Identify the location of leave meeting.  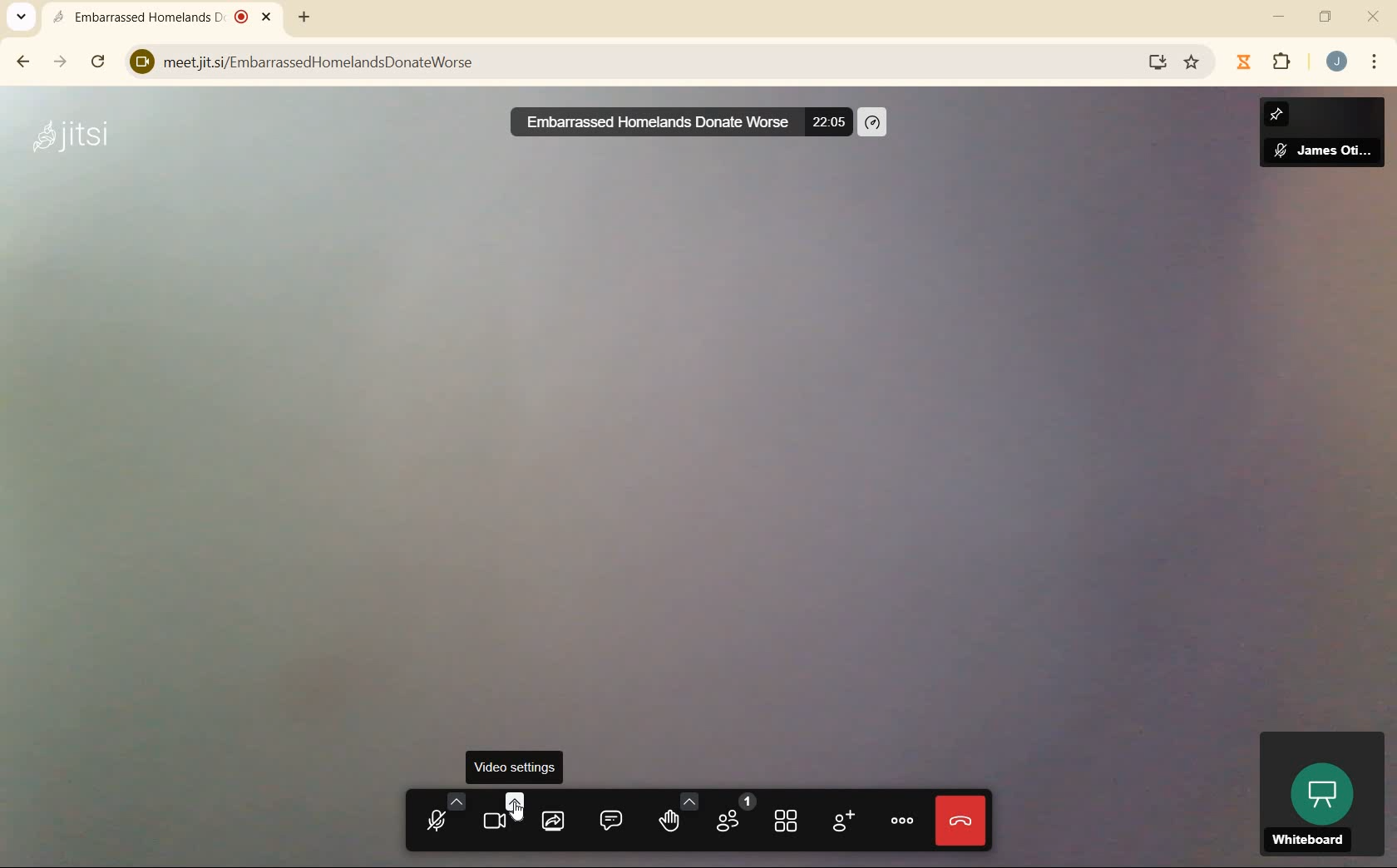
(961, 823).